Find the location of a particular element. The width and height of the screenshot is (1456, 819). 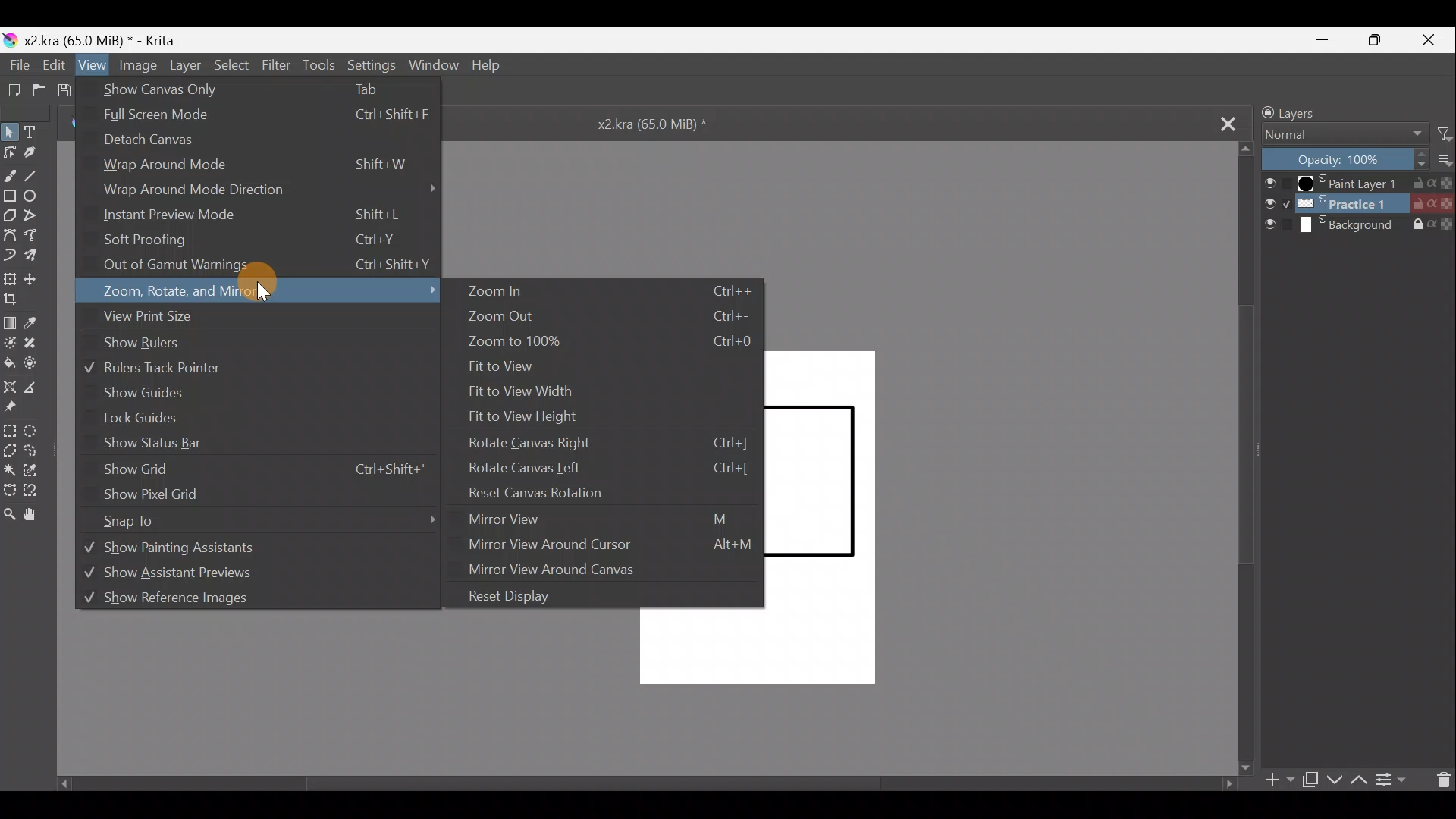

Rotate canvas right is located at coordinates (612, 441).